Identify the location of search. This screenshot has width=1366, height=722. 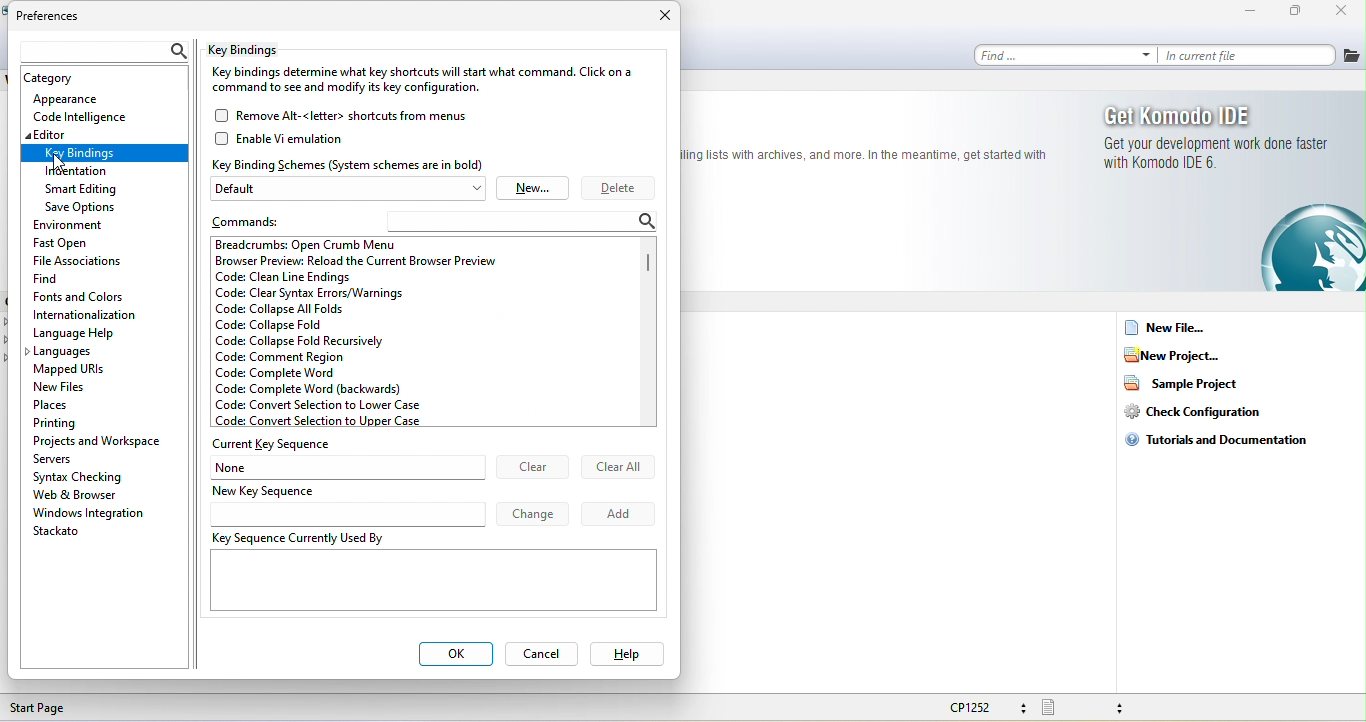
(100, 52).